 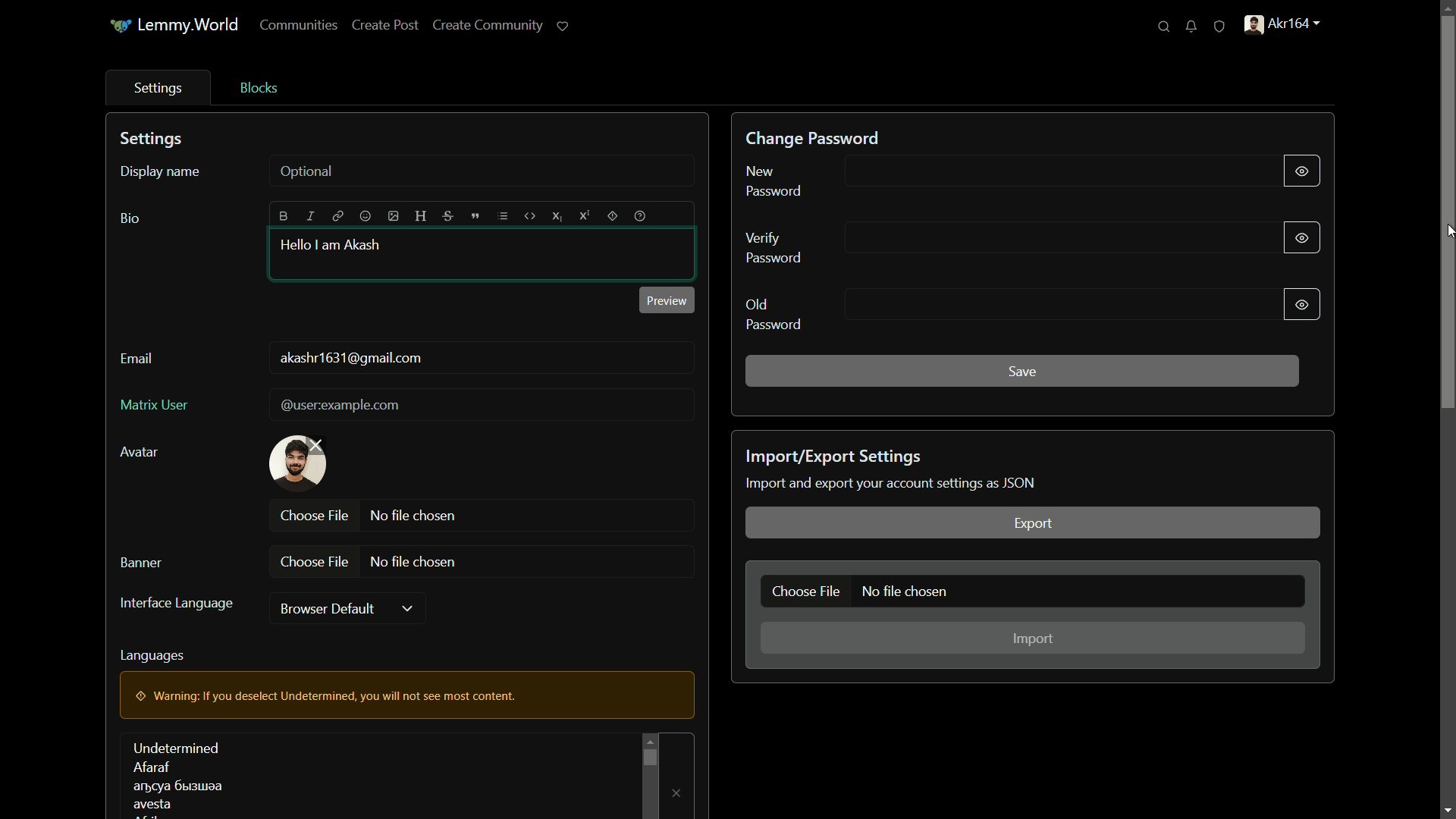 I want to click on emoji, so click(x=366, y=215).